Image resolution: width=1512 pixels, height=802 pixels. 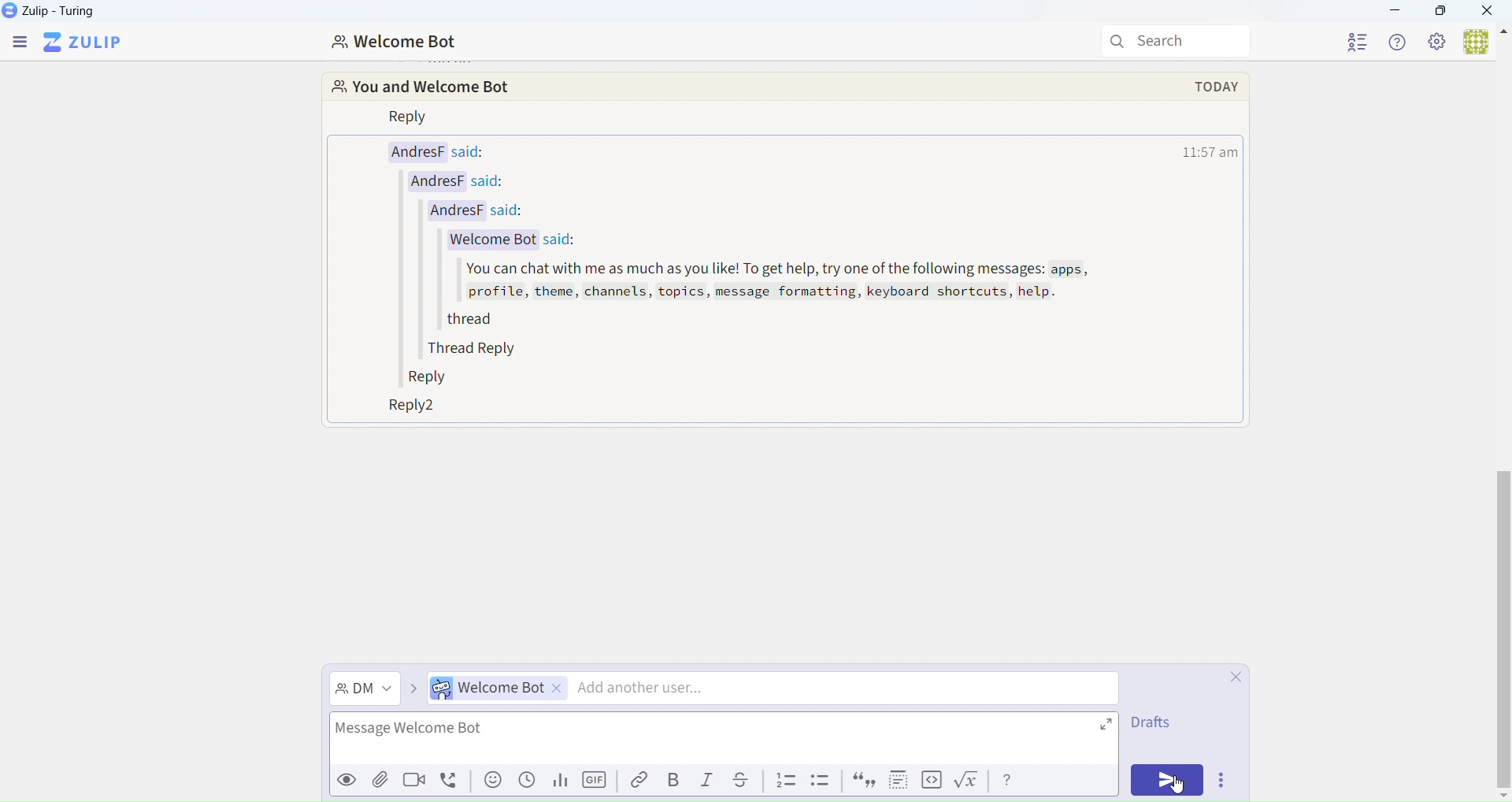 What do you see at coordinates (411, 119) in the screenshot?
I see `Reply` at bounding box center [411, 119].